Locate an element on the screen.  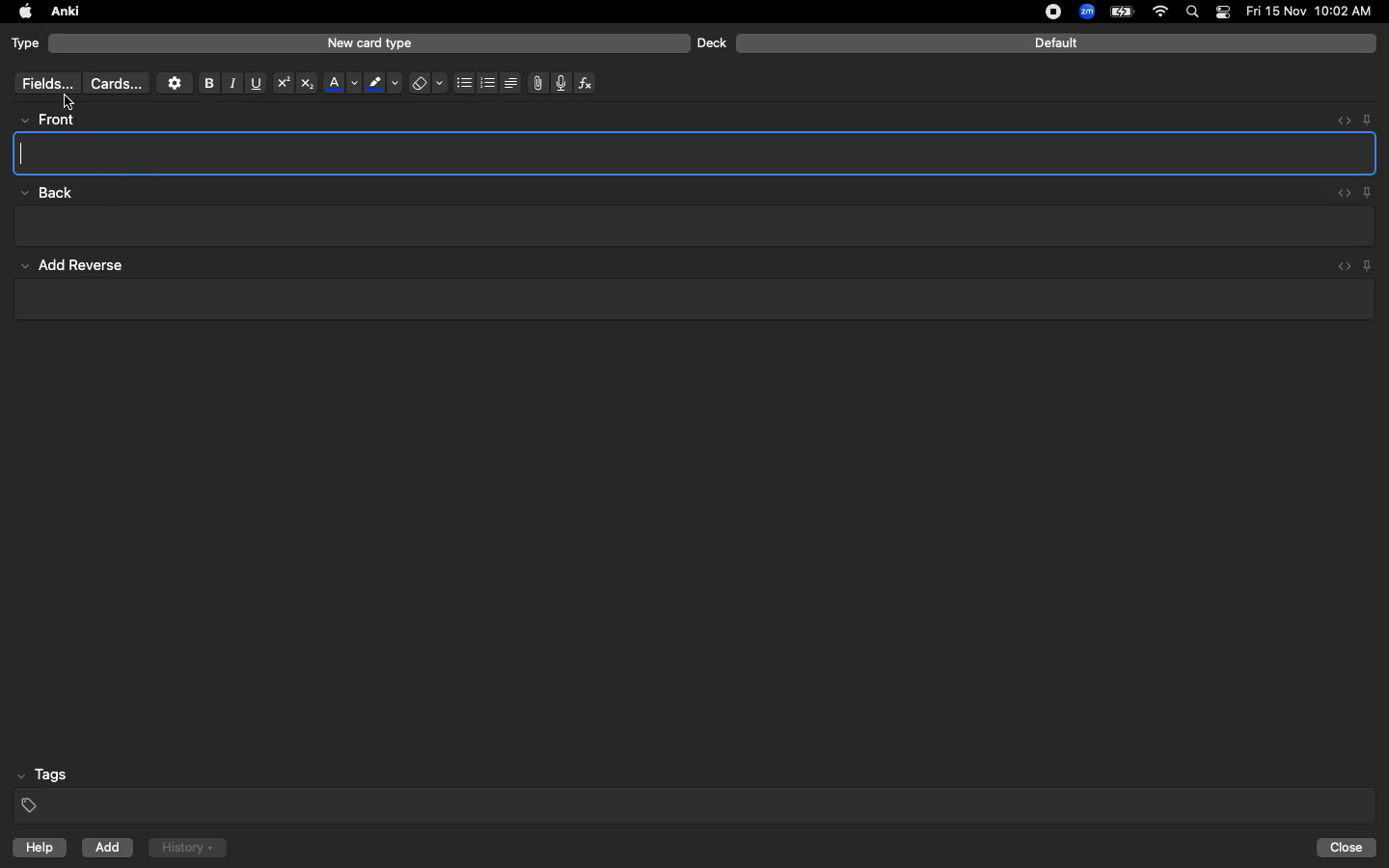
Cards is located at coordinates (116, 84).